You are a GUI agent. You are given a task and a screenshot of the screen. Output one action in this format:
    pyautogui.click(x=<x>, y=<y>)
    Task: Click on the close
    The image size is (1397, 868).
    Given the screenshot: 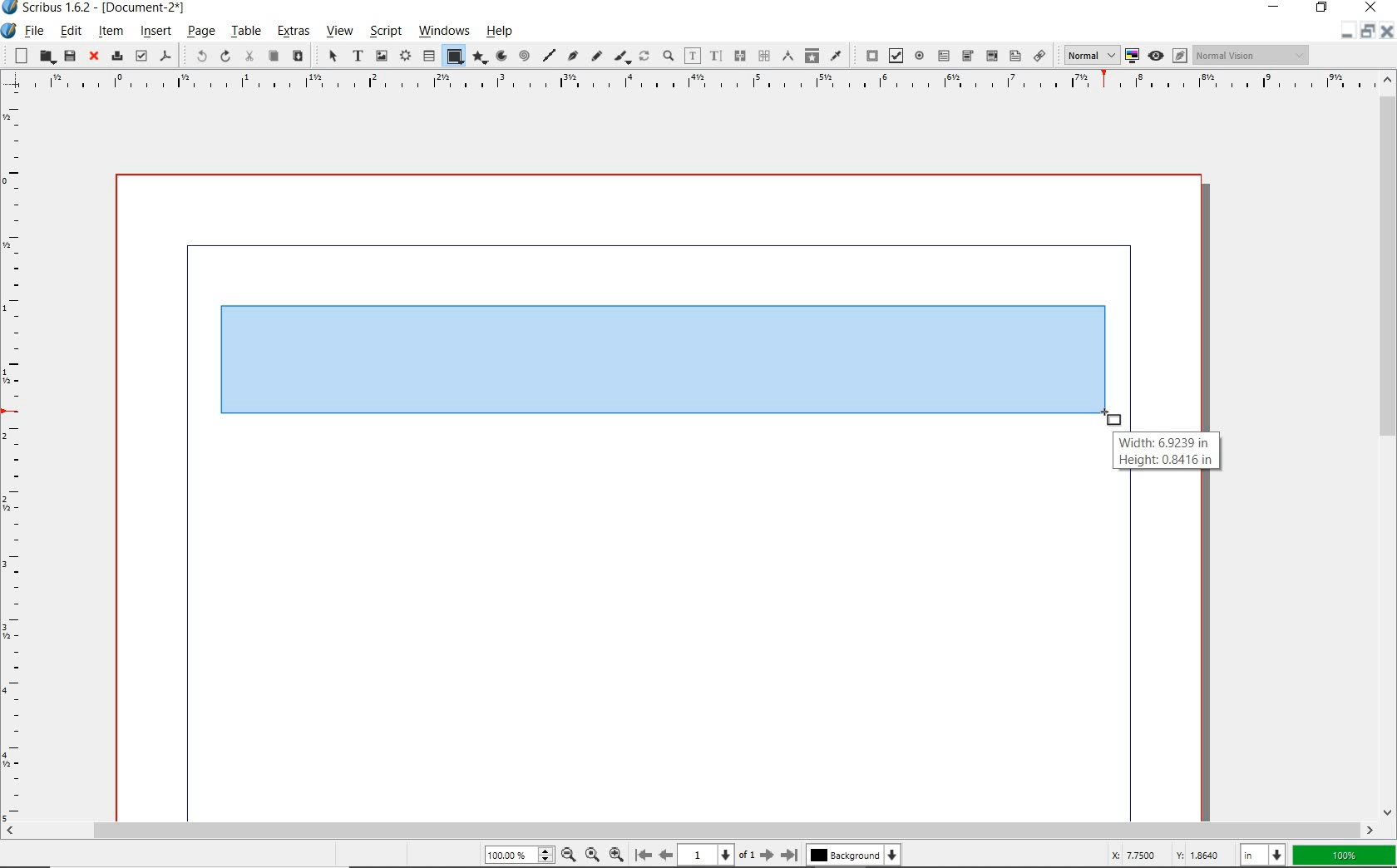 What is the action you would take?
    pyautogui.click(x=1370, y=8)
    